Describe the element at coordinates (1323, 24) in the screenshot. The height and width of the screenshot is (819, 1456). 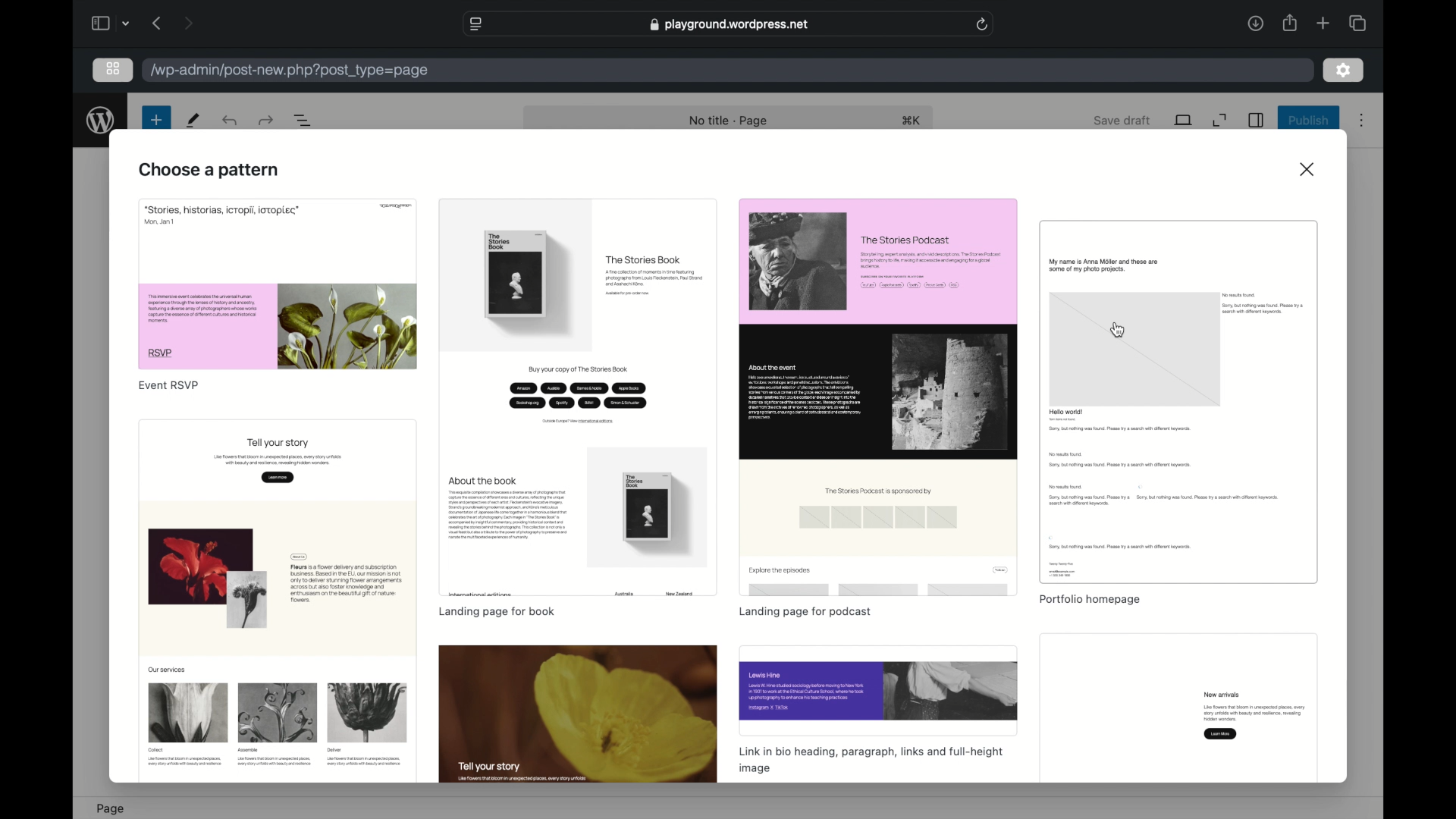
I see `new tab` at that location.